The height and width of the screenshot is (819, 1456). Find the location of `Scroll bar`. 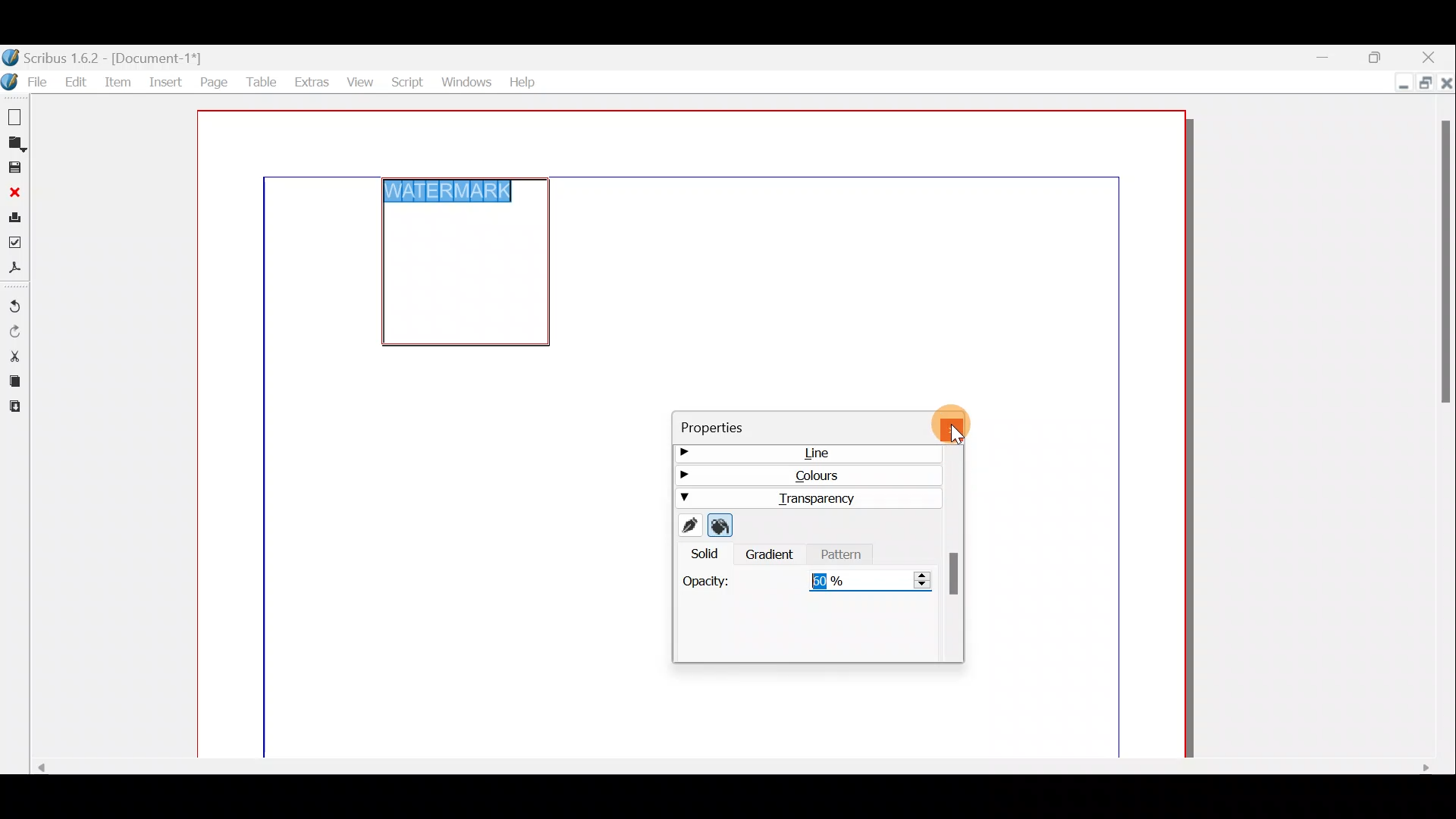

Scroll bar is located at coordinates (1445, 429).